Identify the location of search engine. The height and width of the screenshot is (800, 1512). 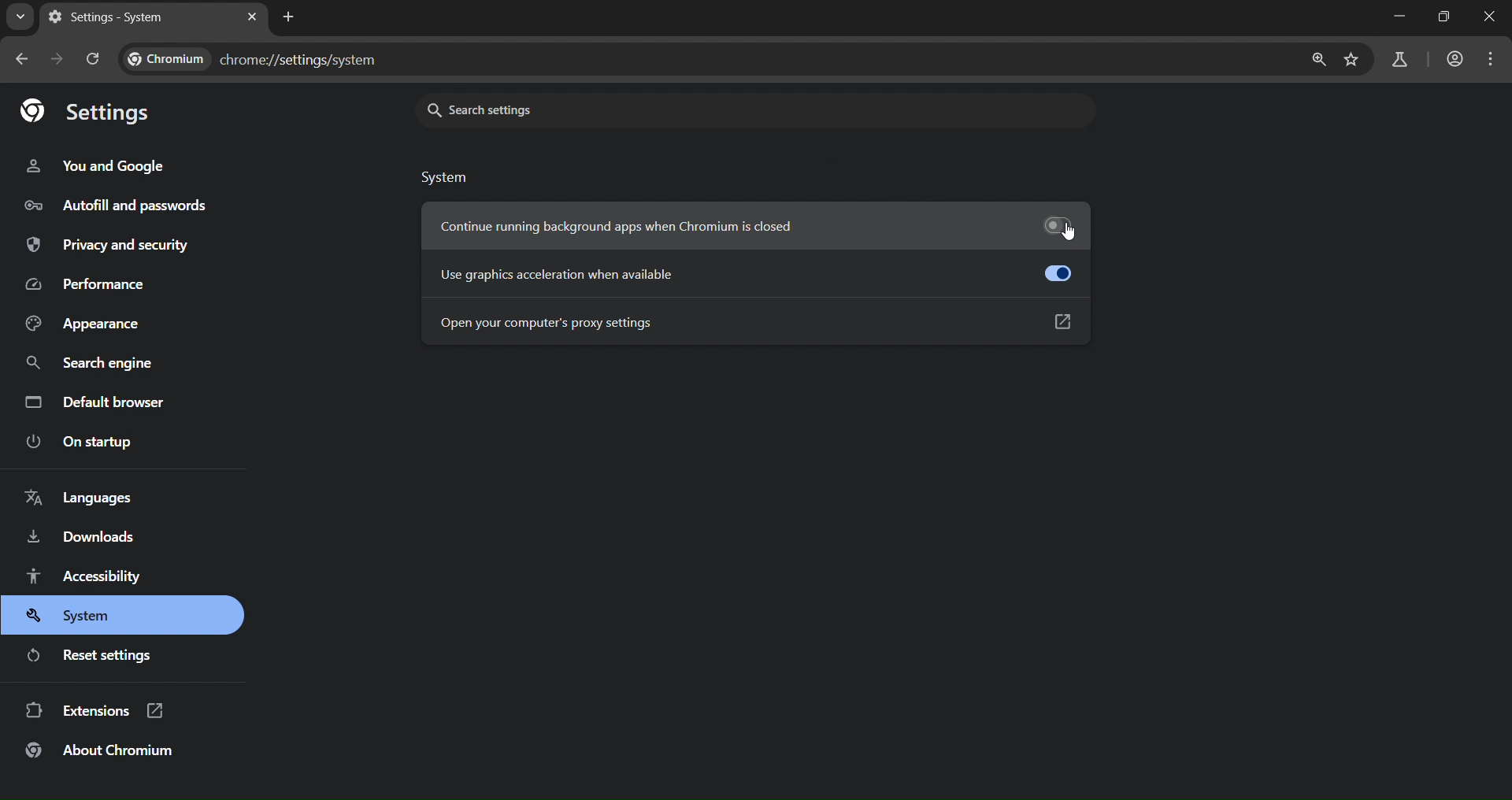
(94, 361).